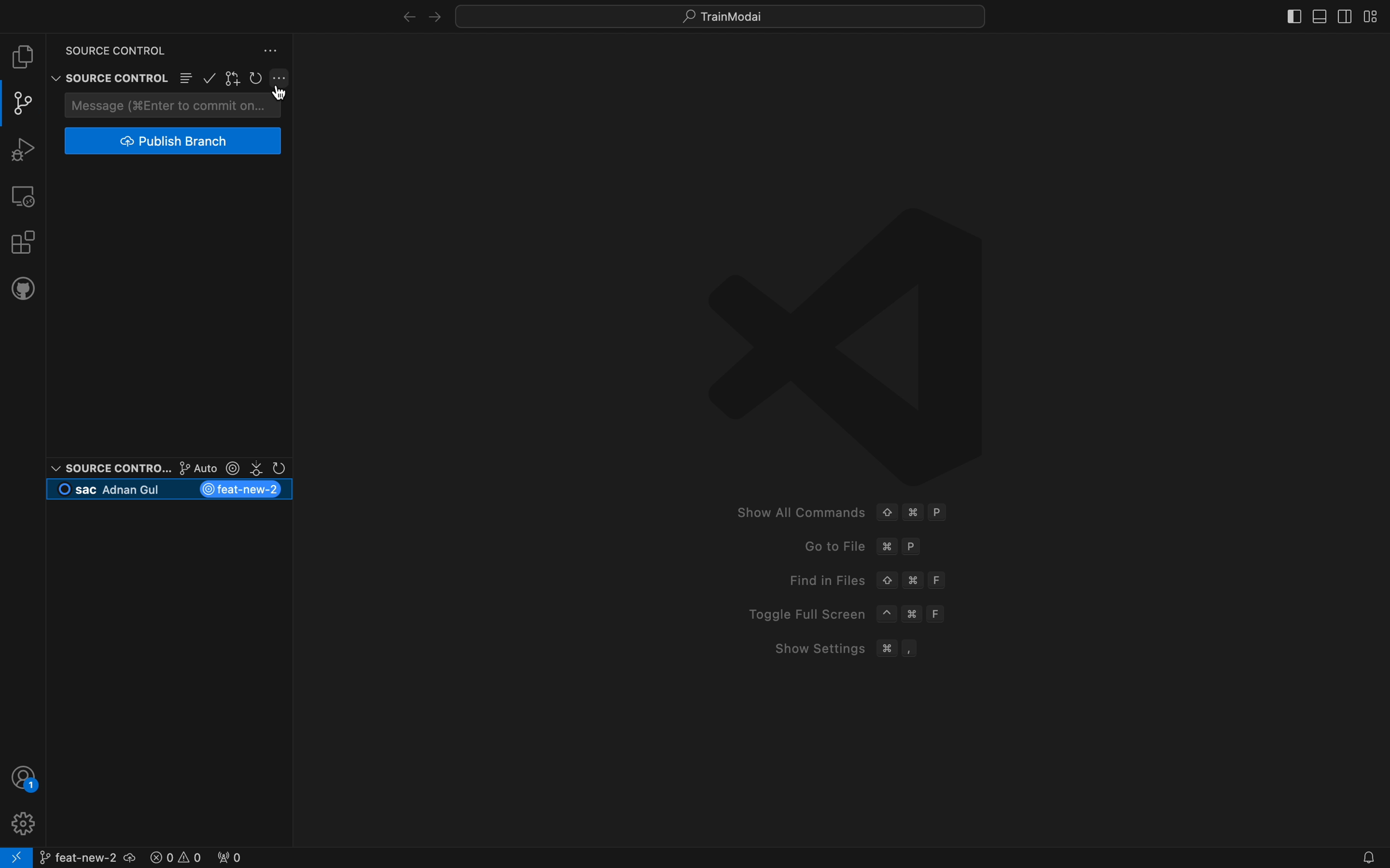 The height and width of the screenshot is (868, 1390). Describe the element at coordinates (887, 614) in the screenshot. I see `^` at that location.